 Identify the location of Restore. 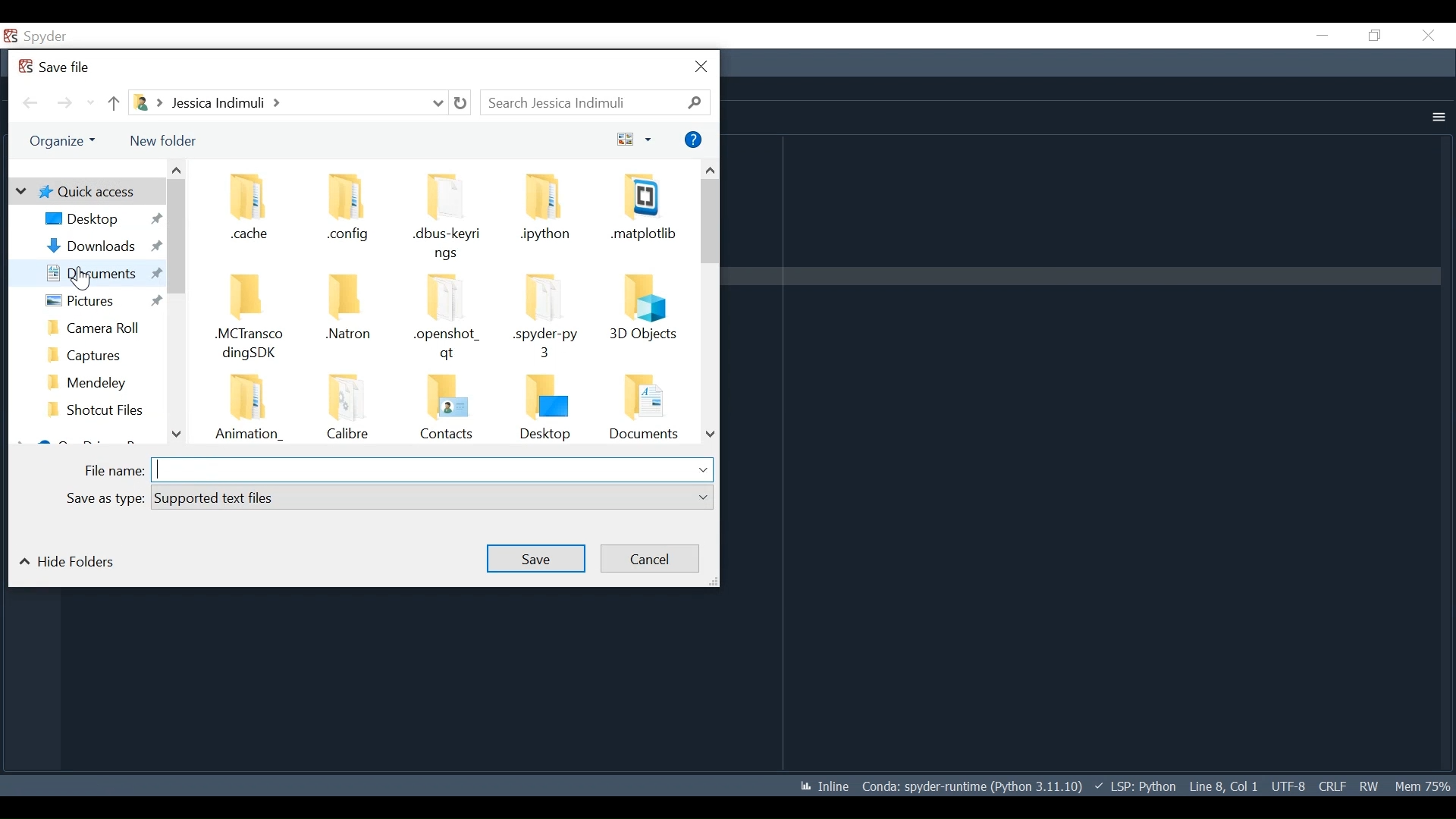
(1373, 36).